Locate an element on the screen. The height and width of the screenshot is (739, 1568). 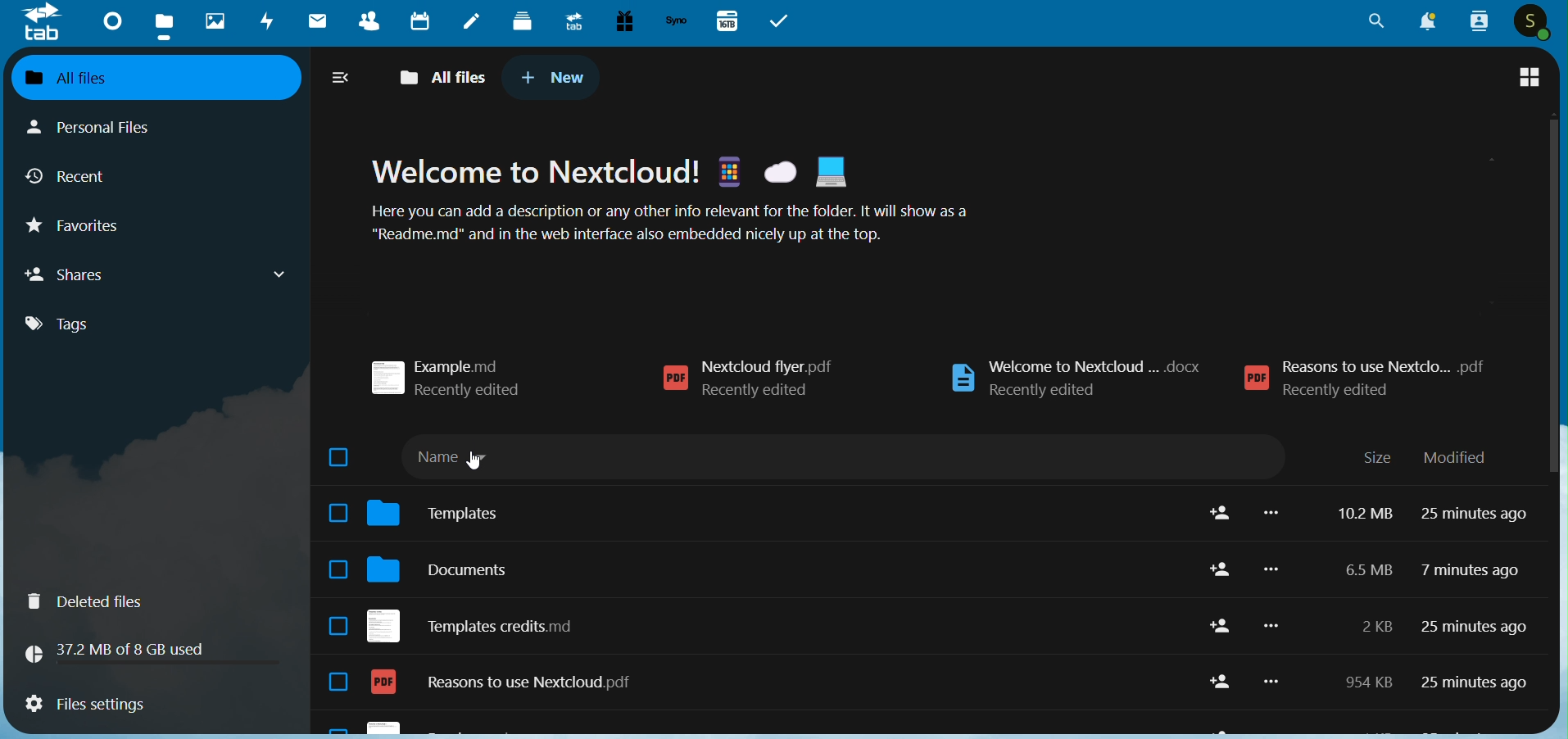
167B is located at coordinates (726, 20).